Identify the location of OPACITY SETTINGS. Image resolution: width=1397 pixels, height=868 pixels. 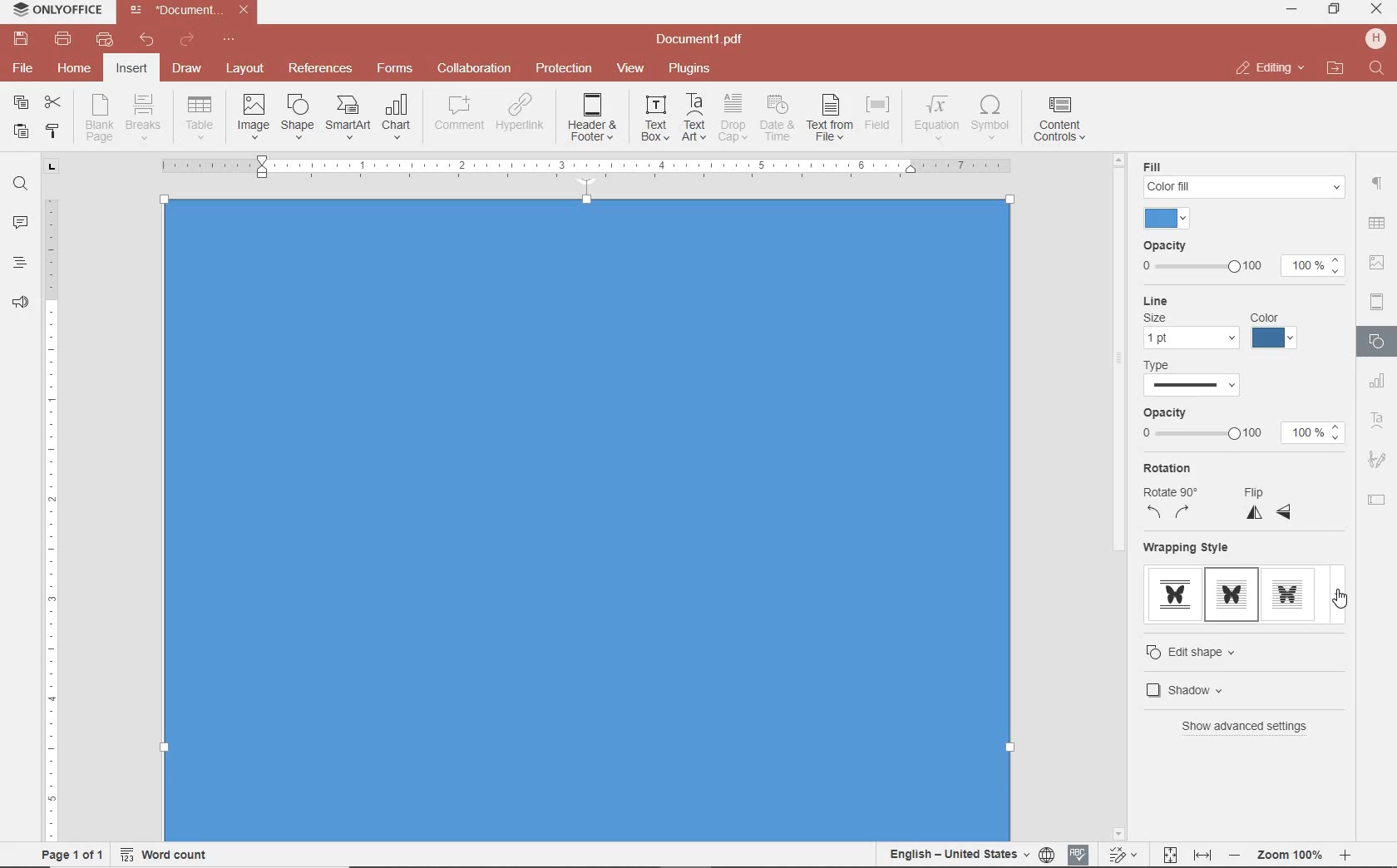
(1242, 259).